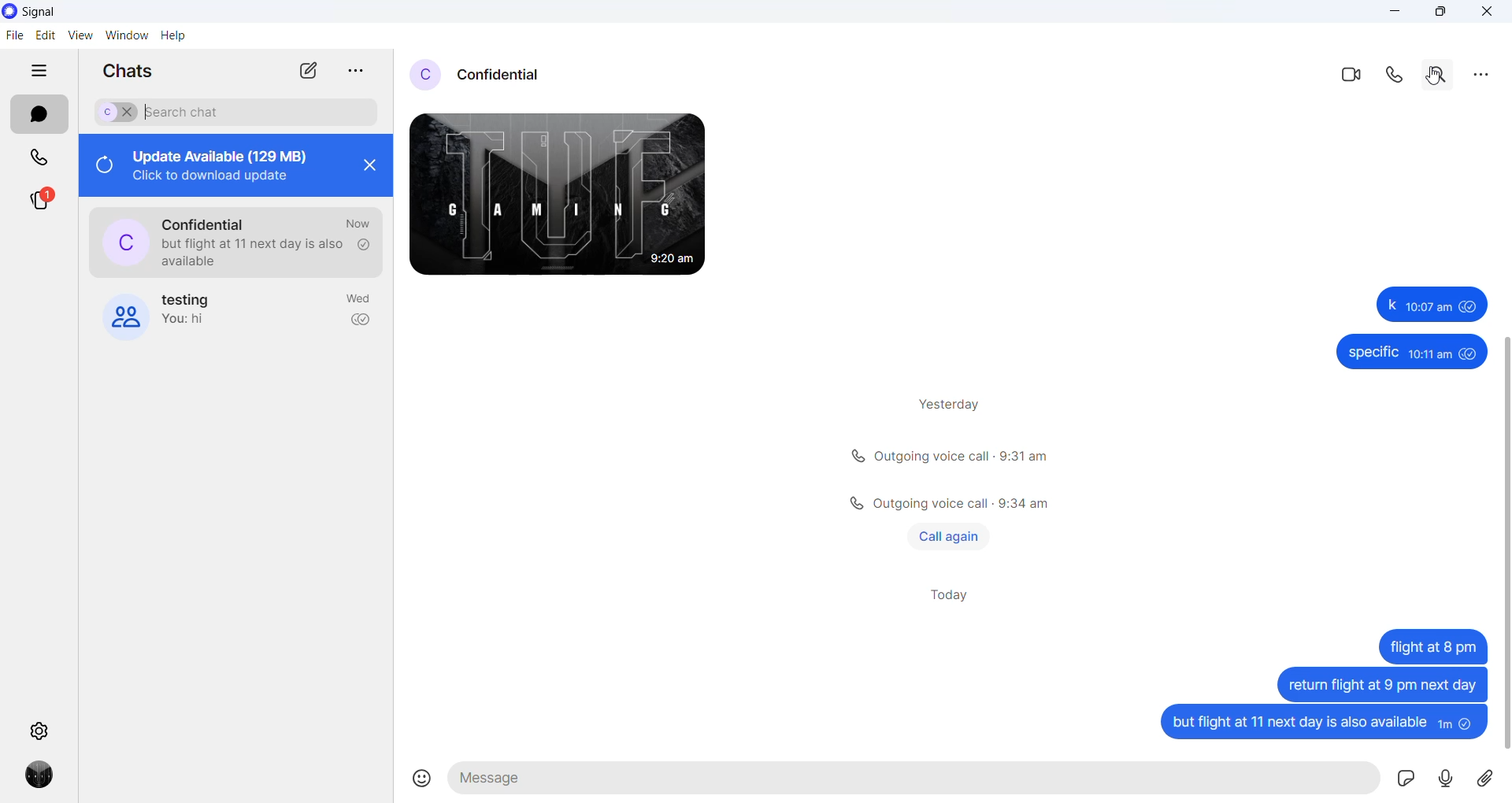 The height and width of the screenshot is (803, 1512). I want to click on group name, so click(193, 299).